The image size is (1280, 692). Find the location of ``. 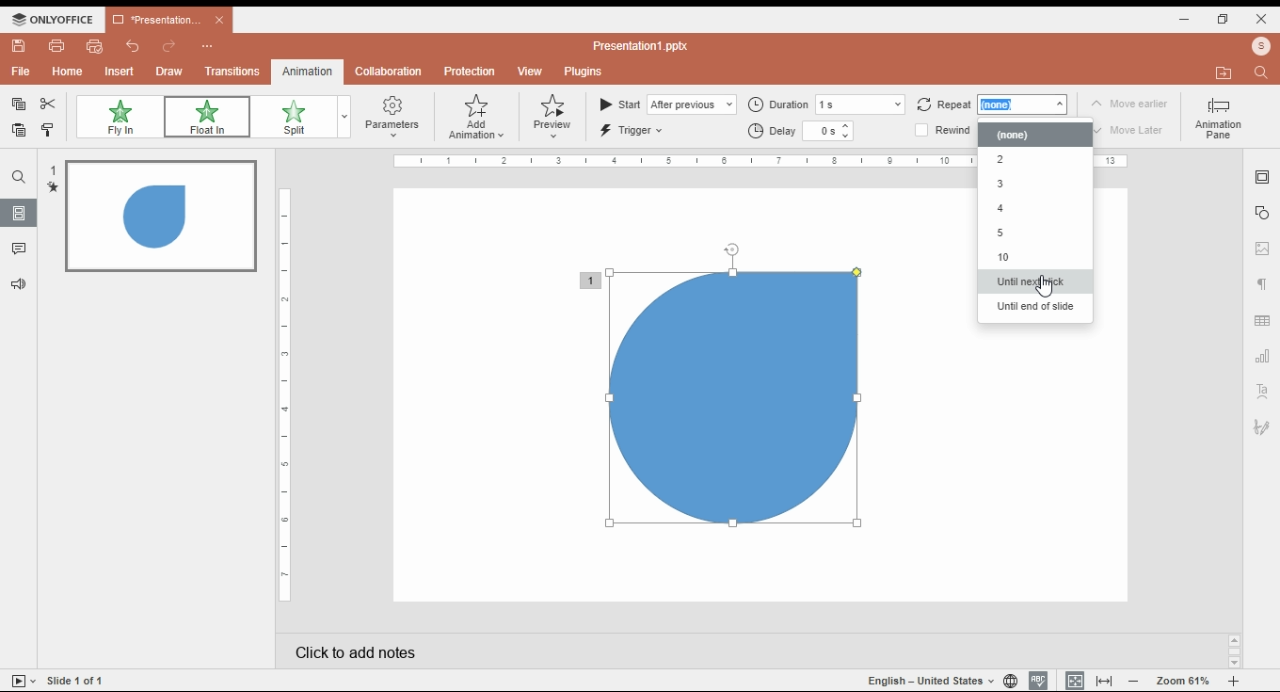

 is located at coordinates (1262, 430).